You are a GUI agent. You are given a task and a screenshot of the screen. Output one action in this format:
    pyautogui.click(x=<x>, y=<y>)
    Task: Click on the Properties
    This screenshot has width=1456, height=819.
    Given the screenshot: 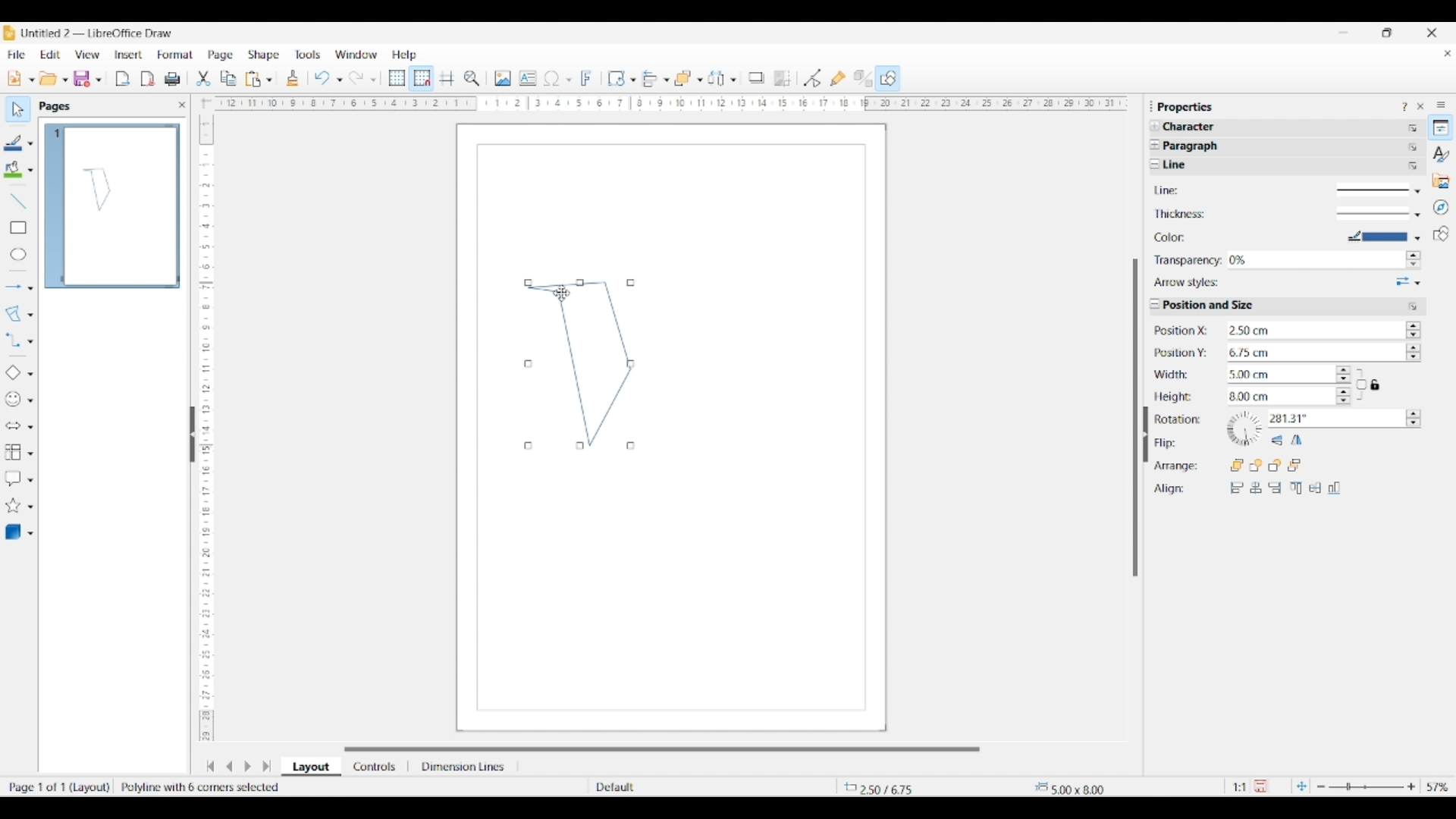 What is the action you would take?
    pyautogui.click(x=1441, y=127)
    